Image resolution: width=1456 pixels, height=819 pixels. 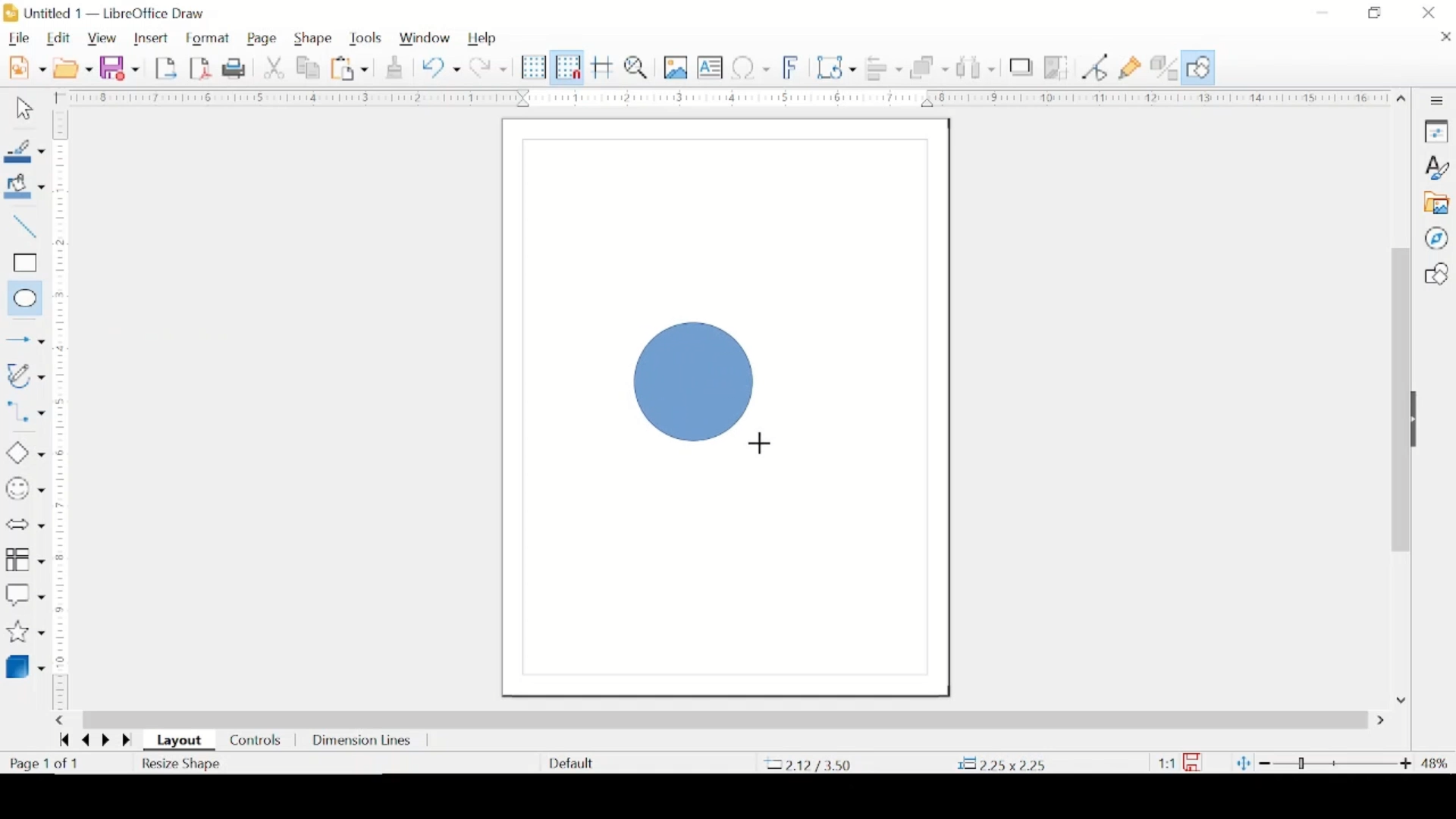 What do you see at coordinates (1439, 100) in the screenshot?
I see `sidebar settings` at bounding box center [1439, 100].